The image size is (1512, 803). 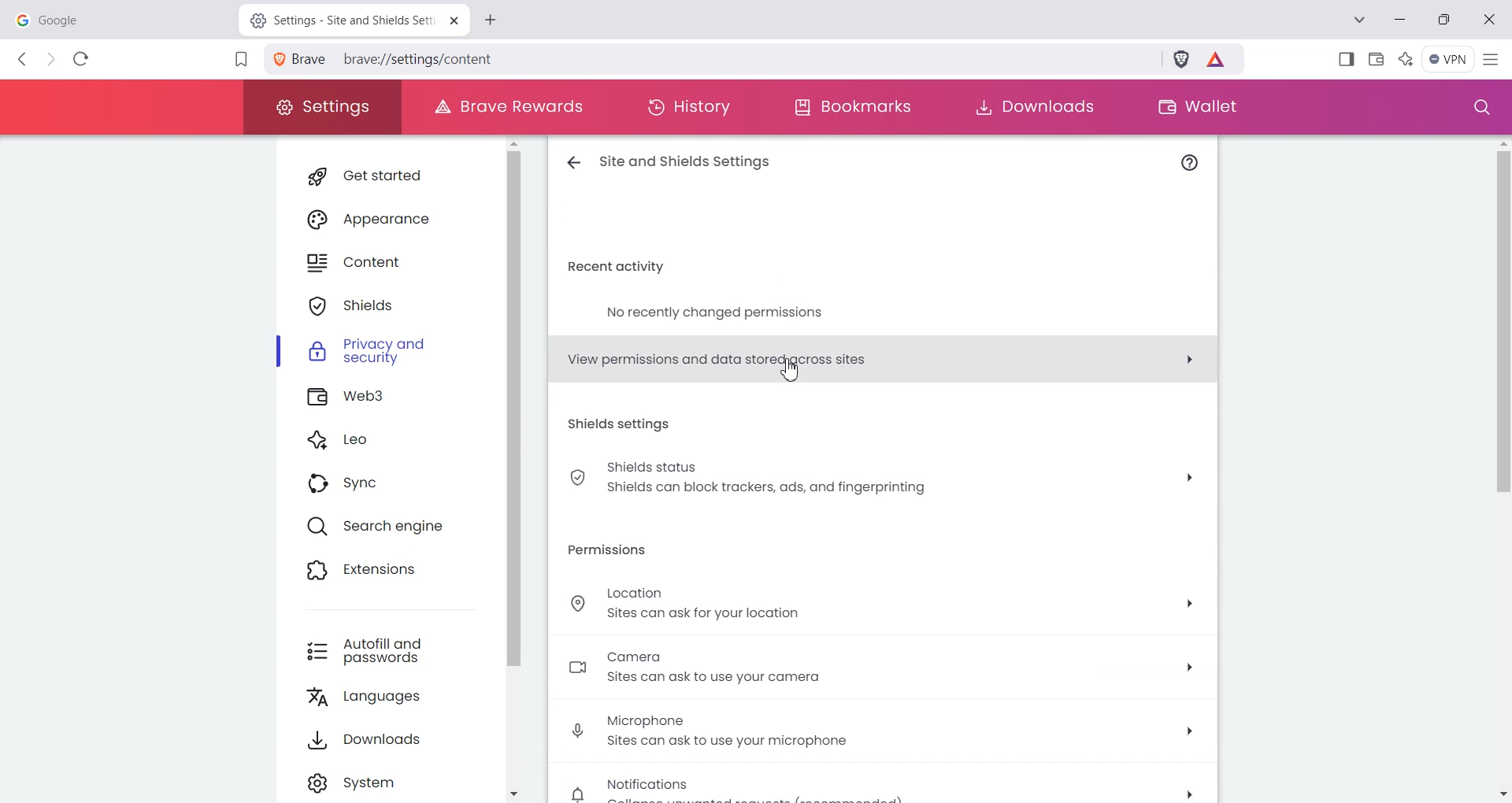 What do you see at coordinates (673, 164) in the screenshot?
I see `Site and shield settings` at bounding box center [673, 164].